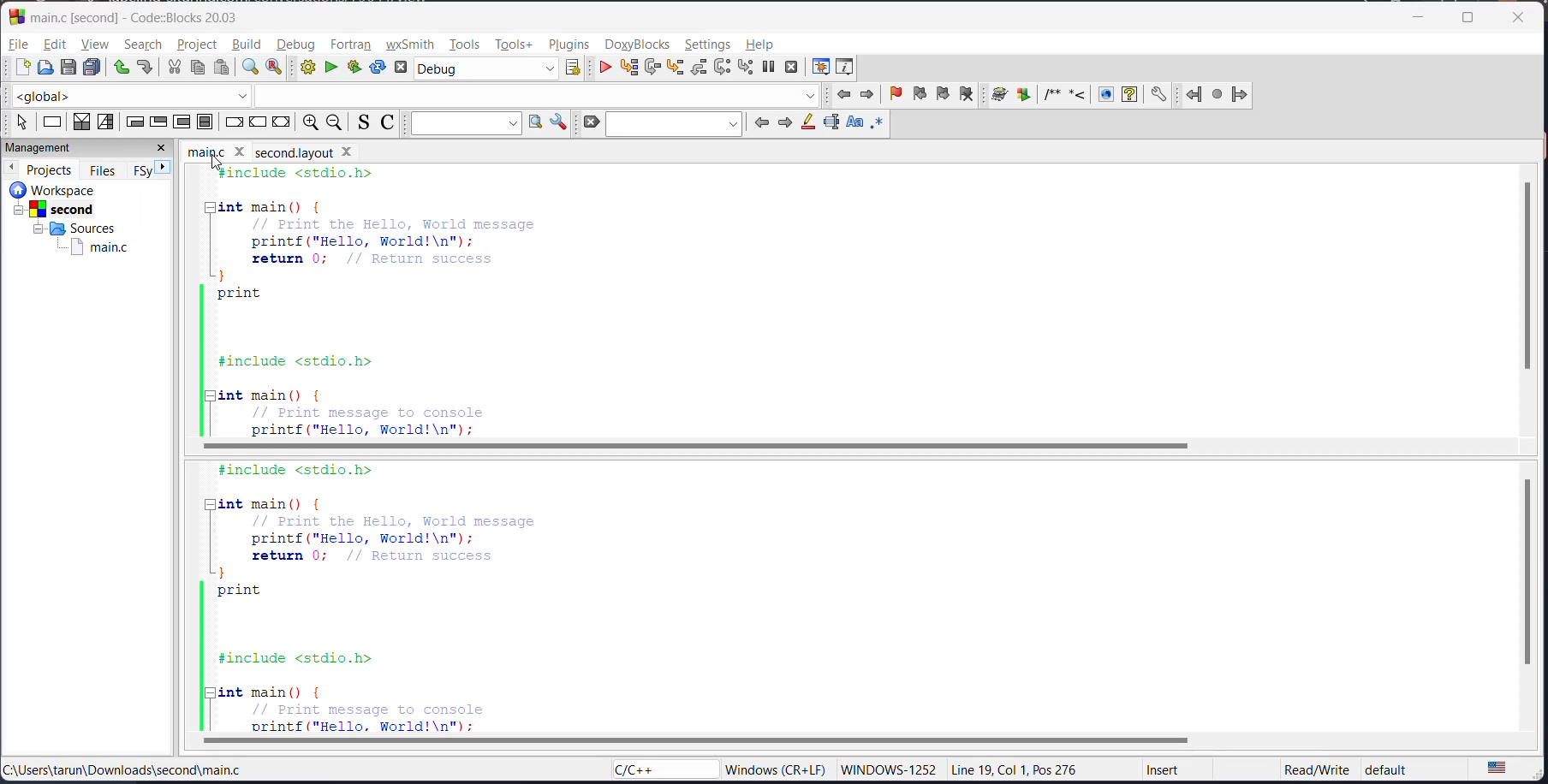 The height and width of the screenshot is (784, 1548). What do you see at coordinates (460, 300) in the screenshot?
I see `code  editor` at bounding box center [460, 300].